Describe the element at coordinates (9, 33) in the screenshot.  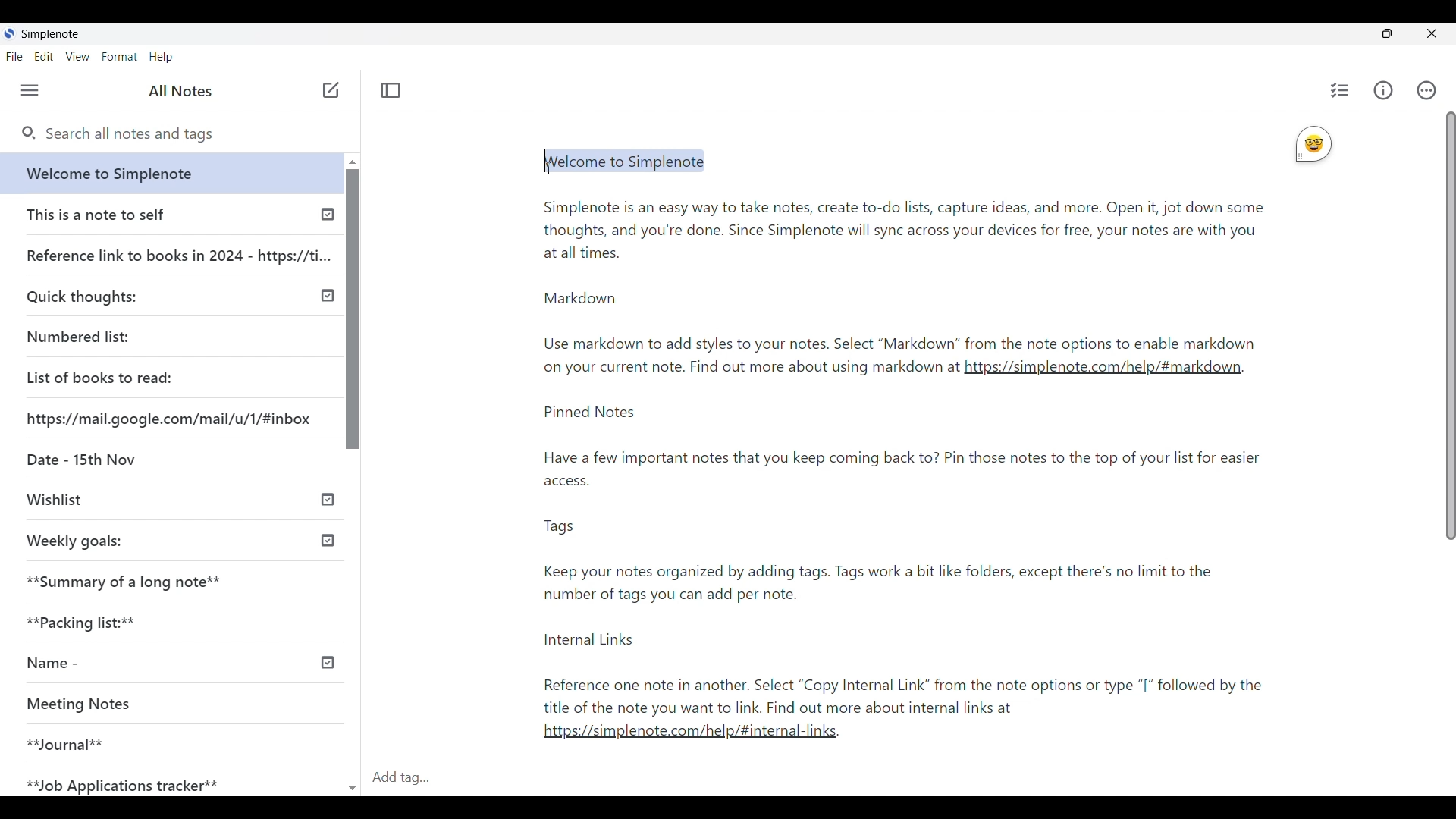
I see `Software logo` at that location.